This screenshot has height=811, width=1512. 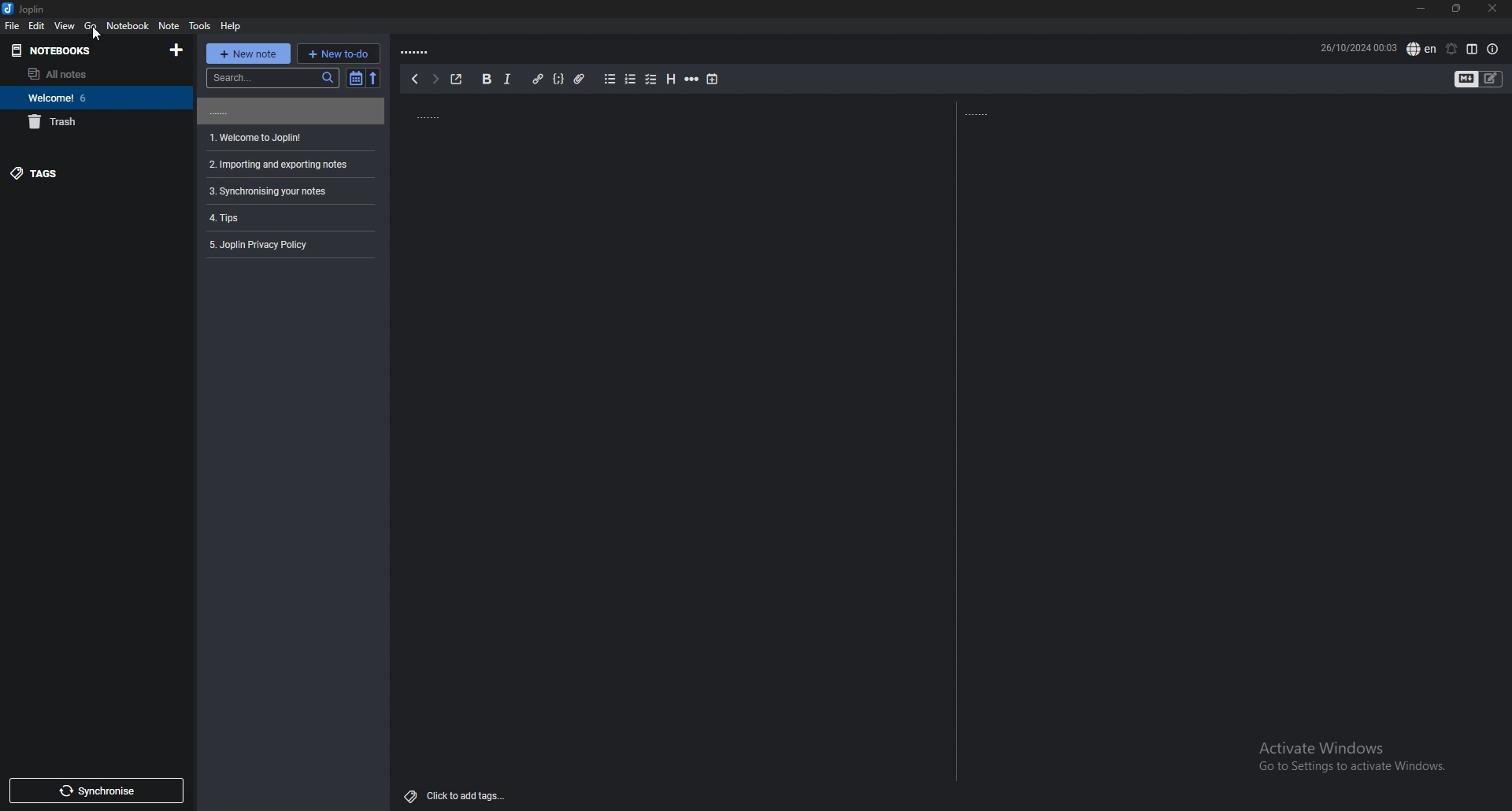 What do you see at coordinates (288, 191) in the screenshot?
I see `note 4` at bounding box center [288, 191].